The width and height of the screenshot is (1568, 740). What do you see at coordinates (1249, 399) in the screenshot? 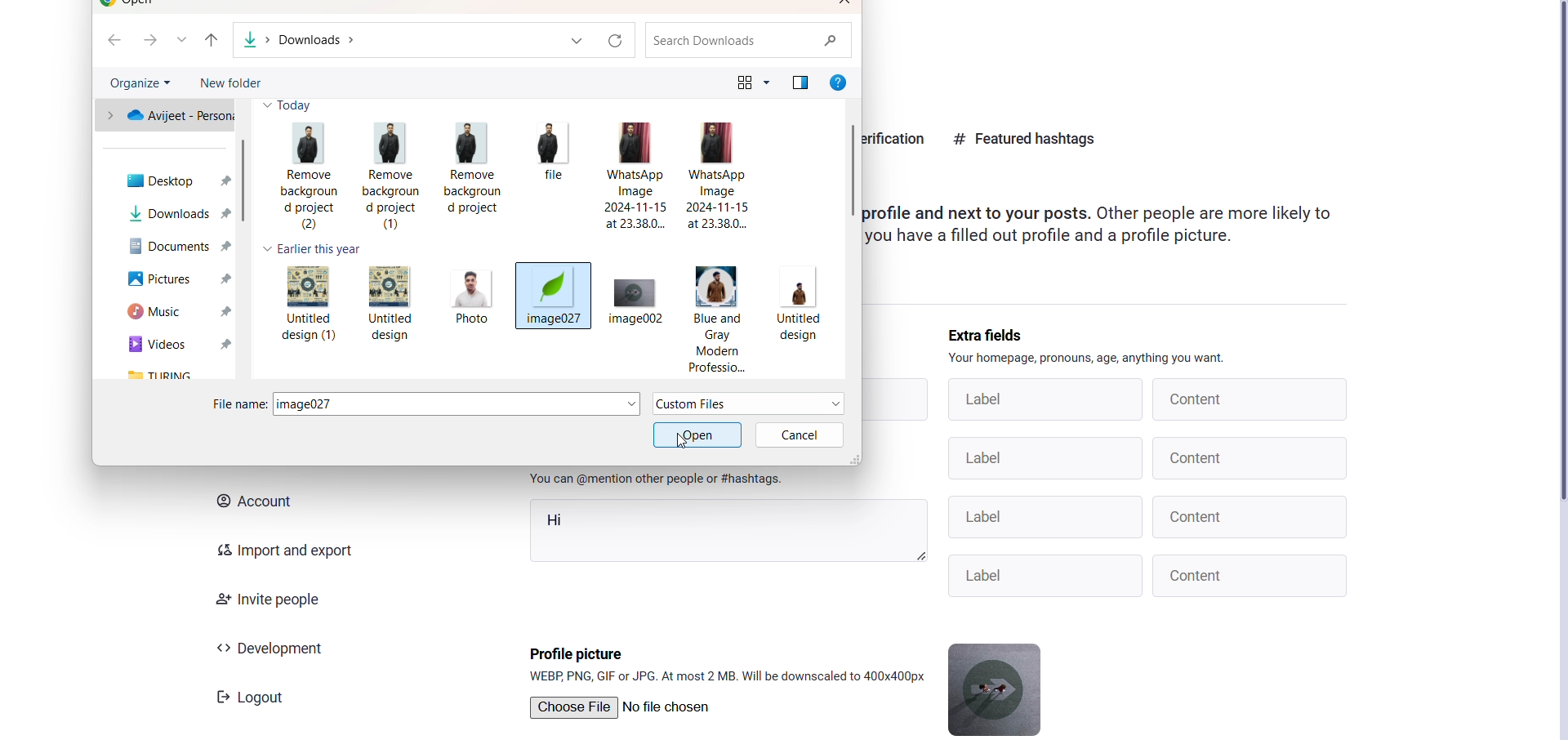
I see `content` at bounding box center [1249, 399].